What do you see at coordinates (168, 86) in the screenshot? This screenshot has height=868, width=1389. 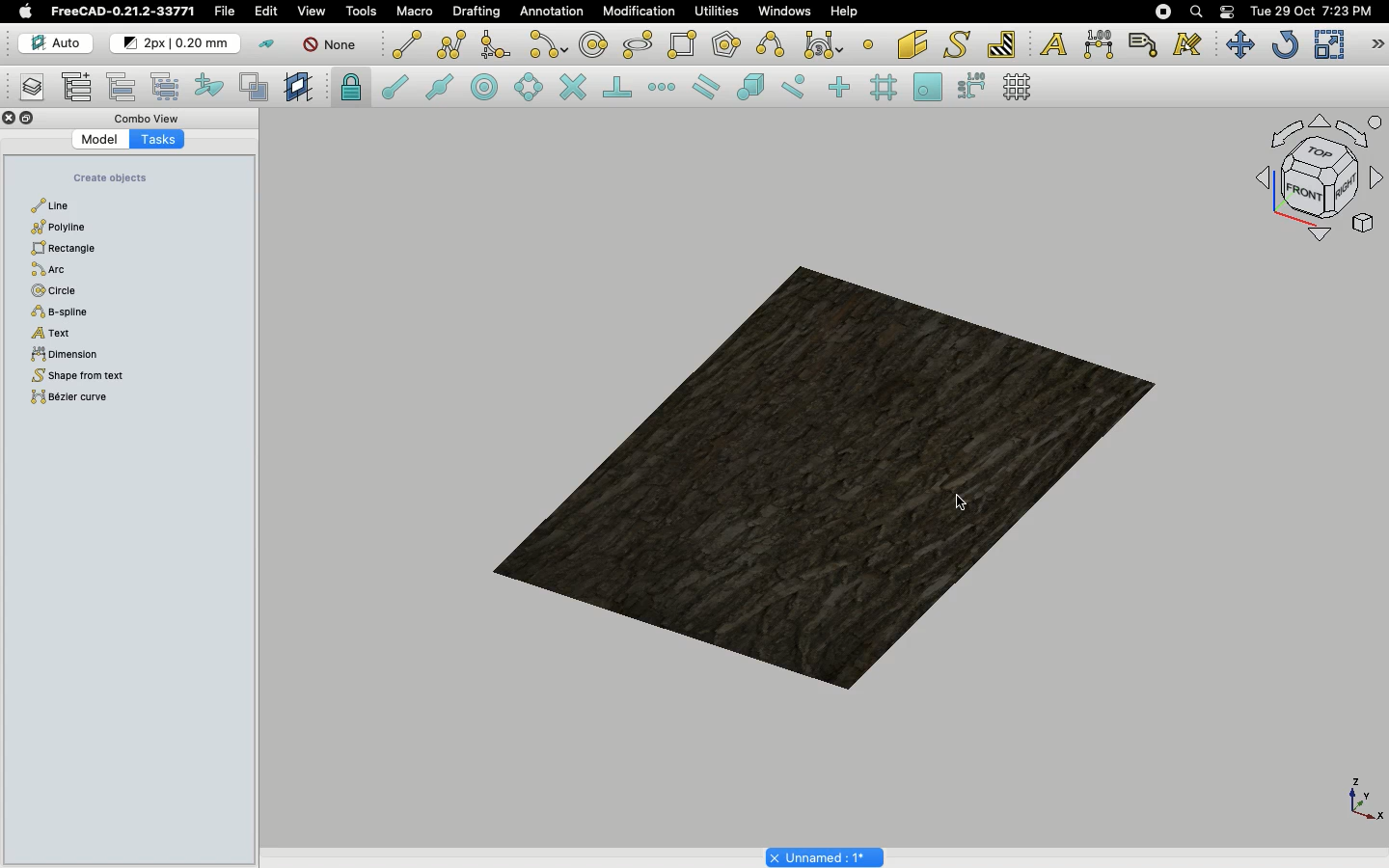 I see `Select group` at bounding box center [168, 86].